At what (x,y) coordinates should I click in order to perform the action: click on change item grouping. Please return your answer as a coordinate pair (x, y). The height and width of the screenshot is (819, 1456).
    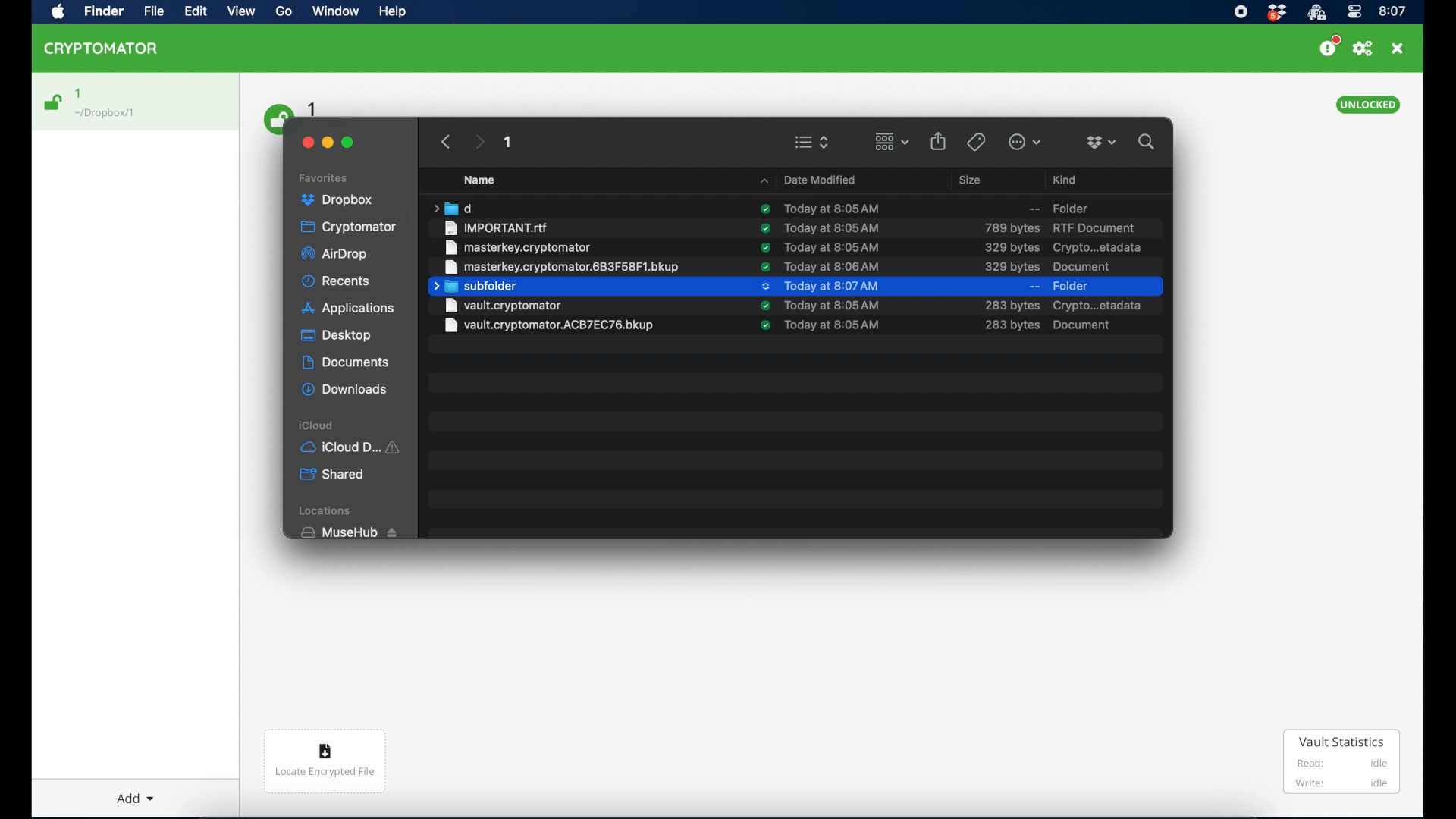
    Looking at the image, I should click on (891, 141).